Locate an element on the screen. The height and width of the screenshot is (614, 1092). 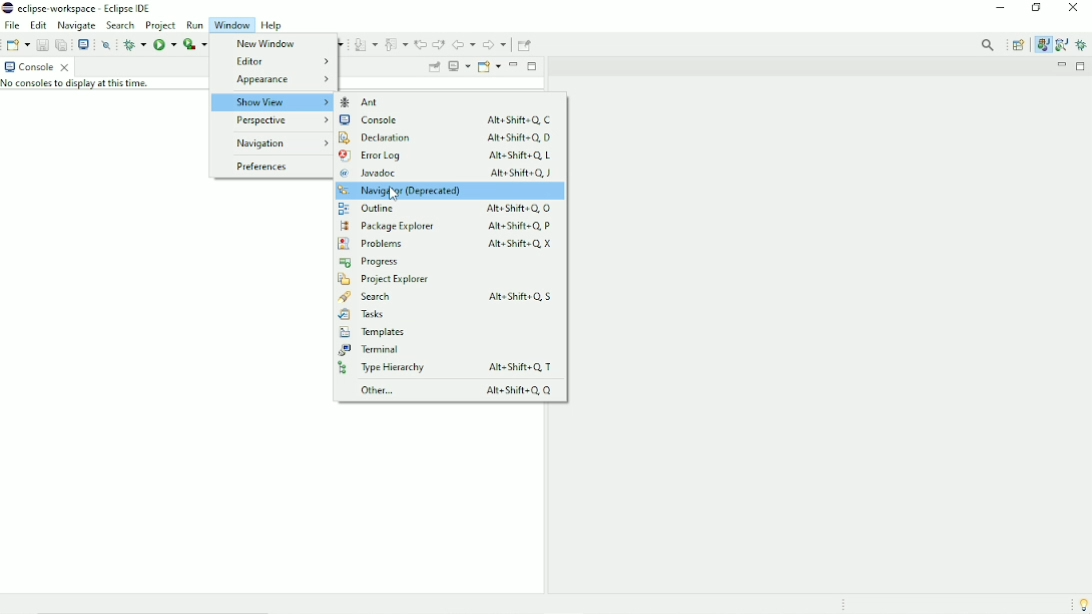
Back is located at coordinates (464, 45).